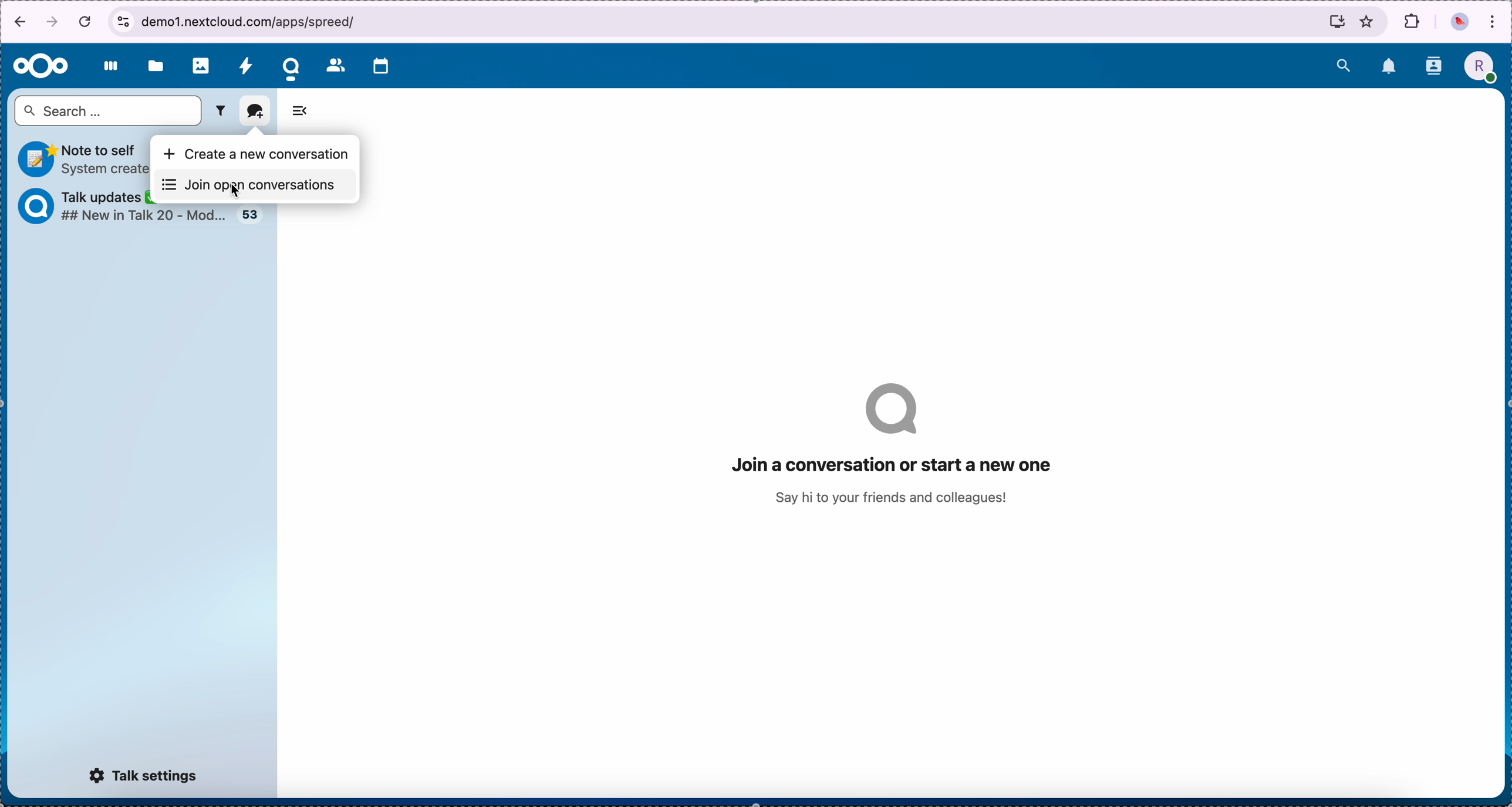 The image size is (1512, 807). What do you see at coordinates (250, 184) in the screenshot?
I see `click on join open conversations` at bounding box center [250, 184].